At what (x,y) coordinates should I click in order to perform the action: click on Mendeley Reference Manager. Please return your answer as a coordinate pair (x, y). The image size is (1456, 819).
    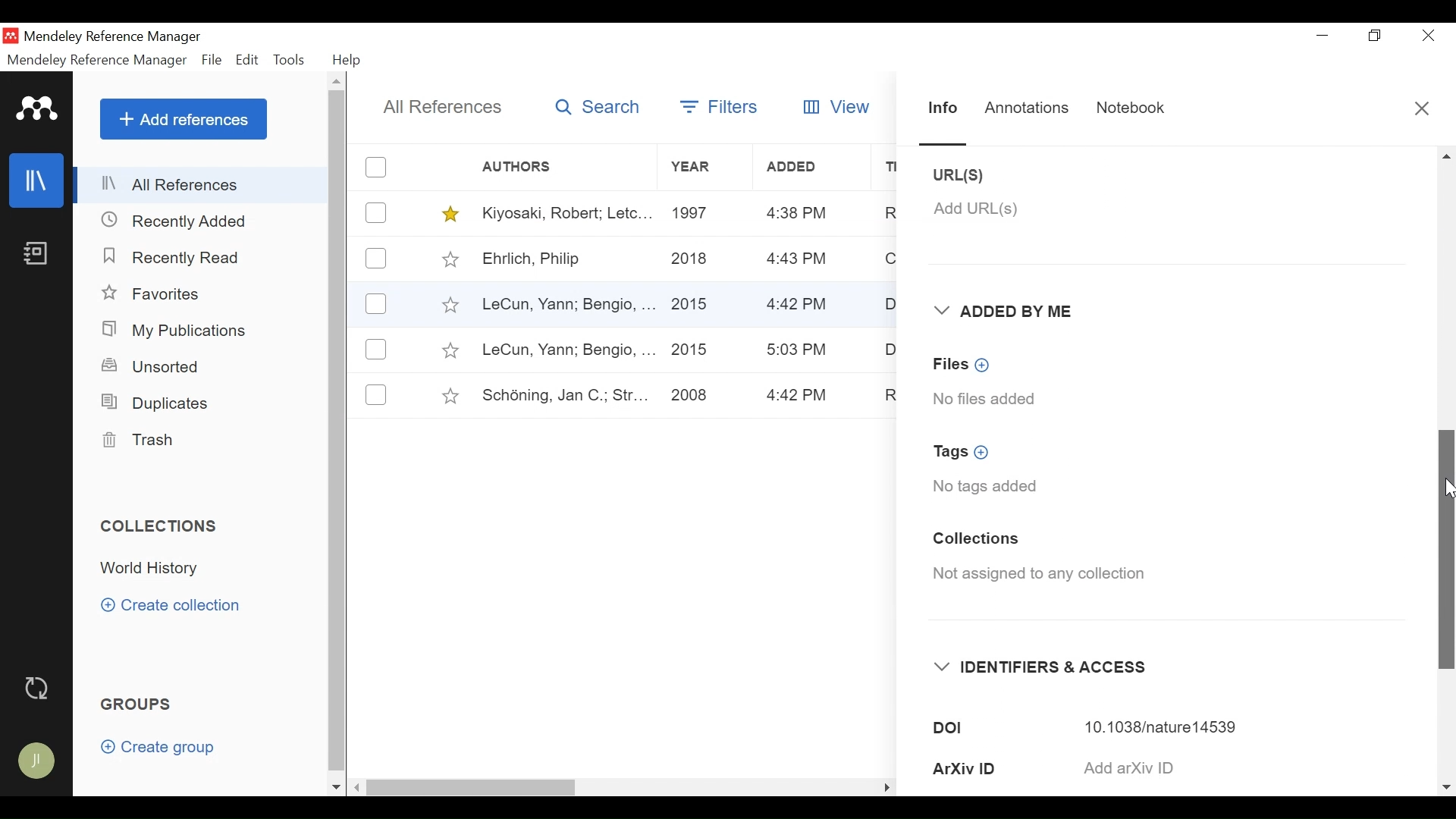
    Looking at the image, I should click on (96, 60).